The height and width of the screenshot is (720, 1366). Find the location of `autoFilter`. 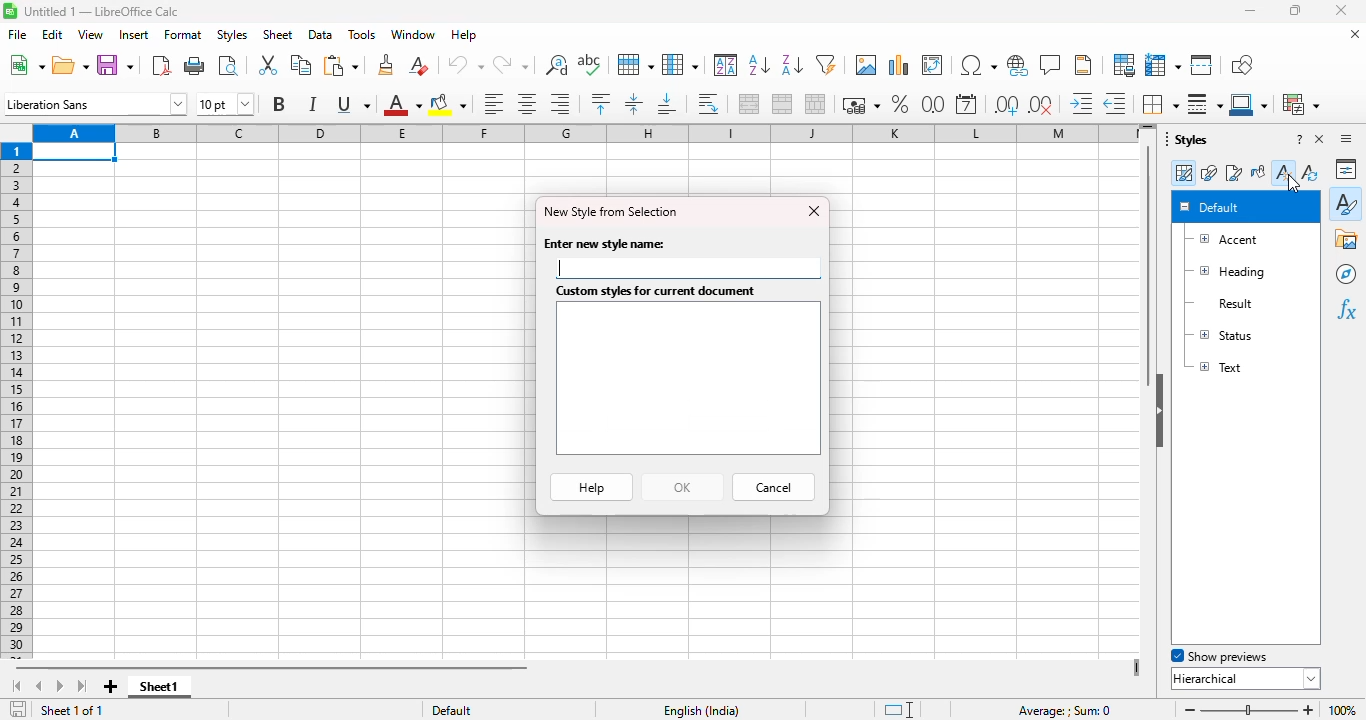

autoFilter is located at coordinates (826, 64).